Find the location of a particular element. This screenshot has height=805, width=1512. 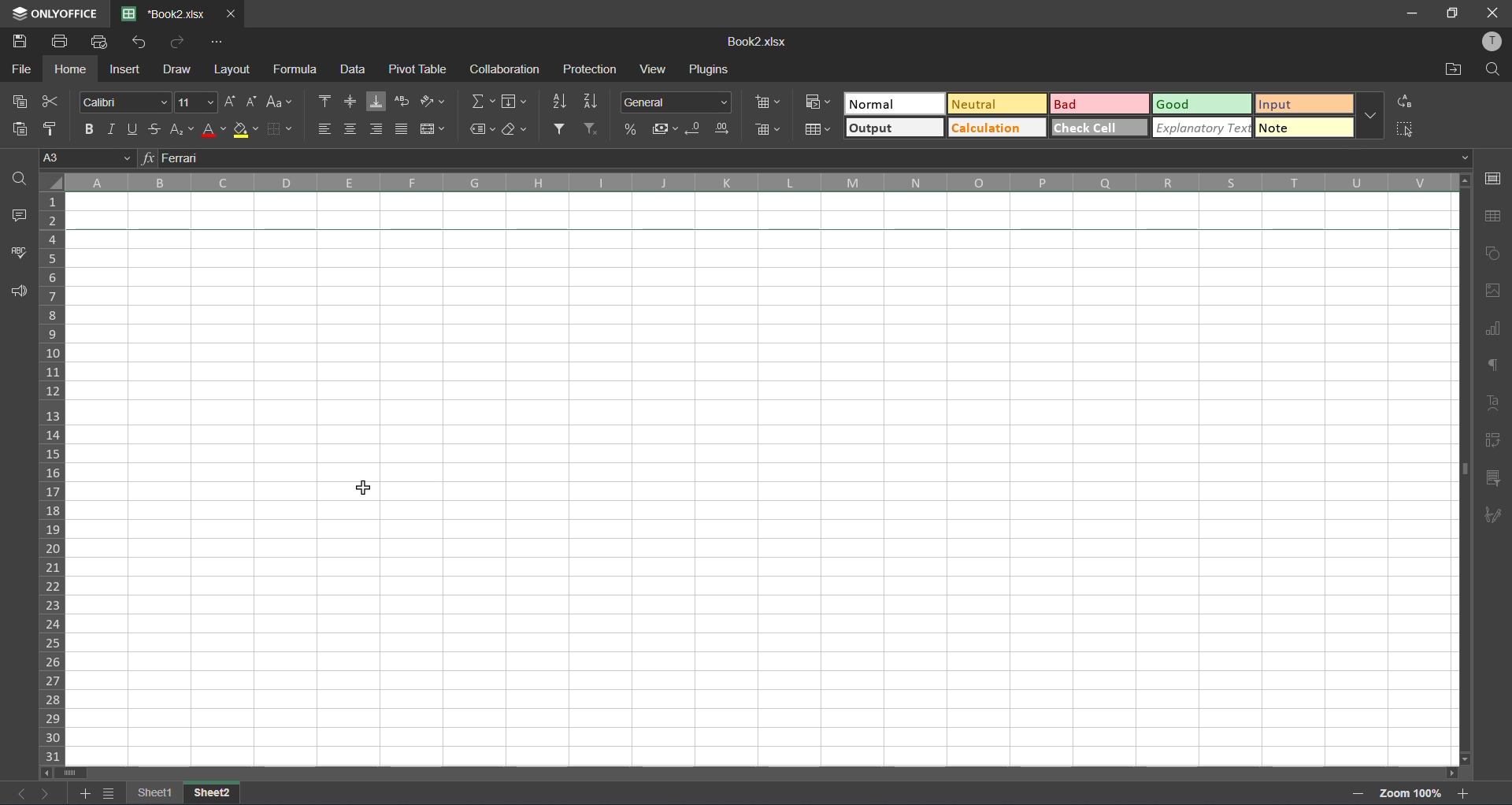

calculation is located at coordinates (999, 128).